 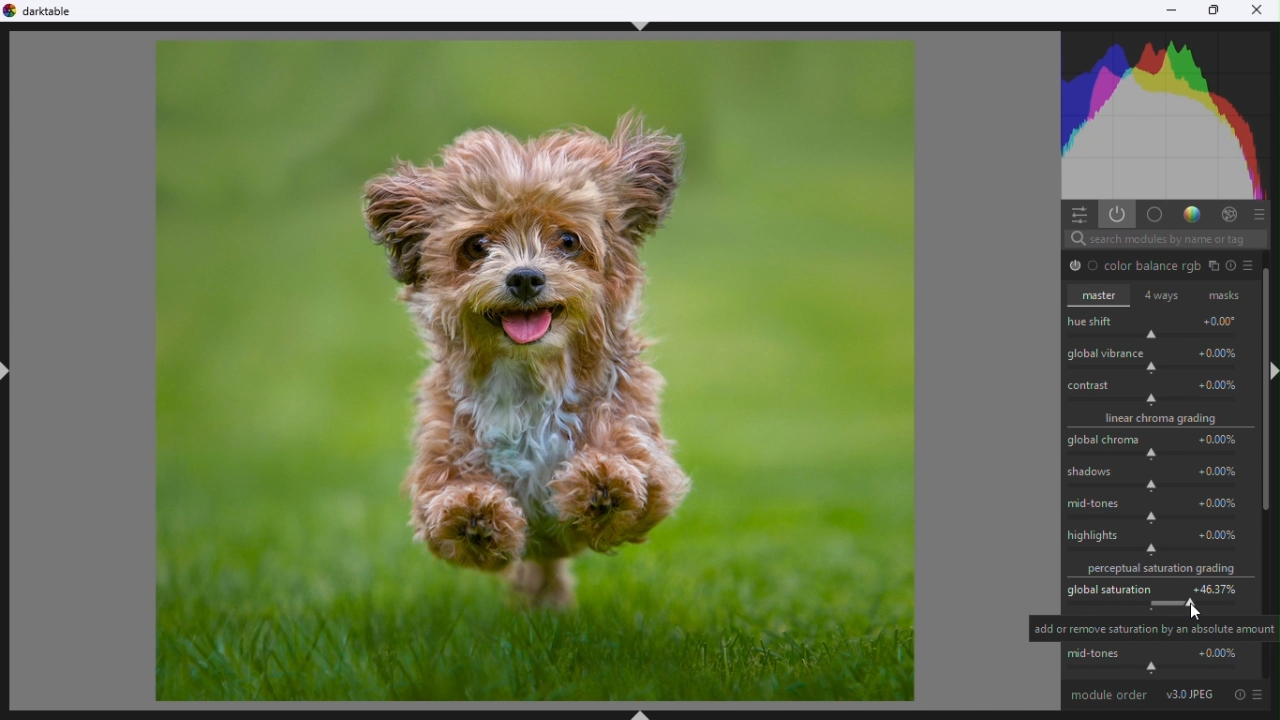 I want to click on Master, so click(x=1100, y=298).